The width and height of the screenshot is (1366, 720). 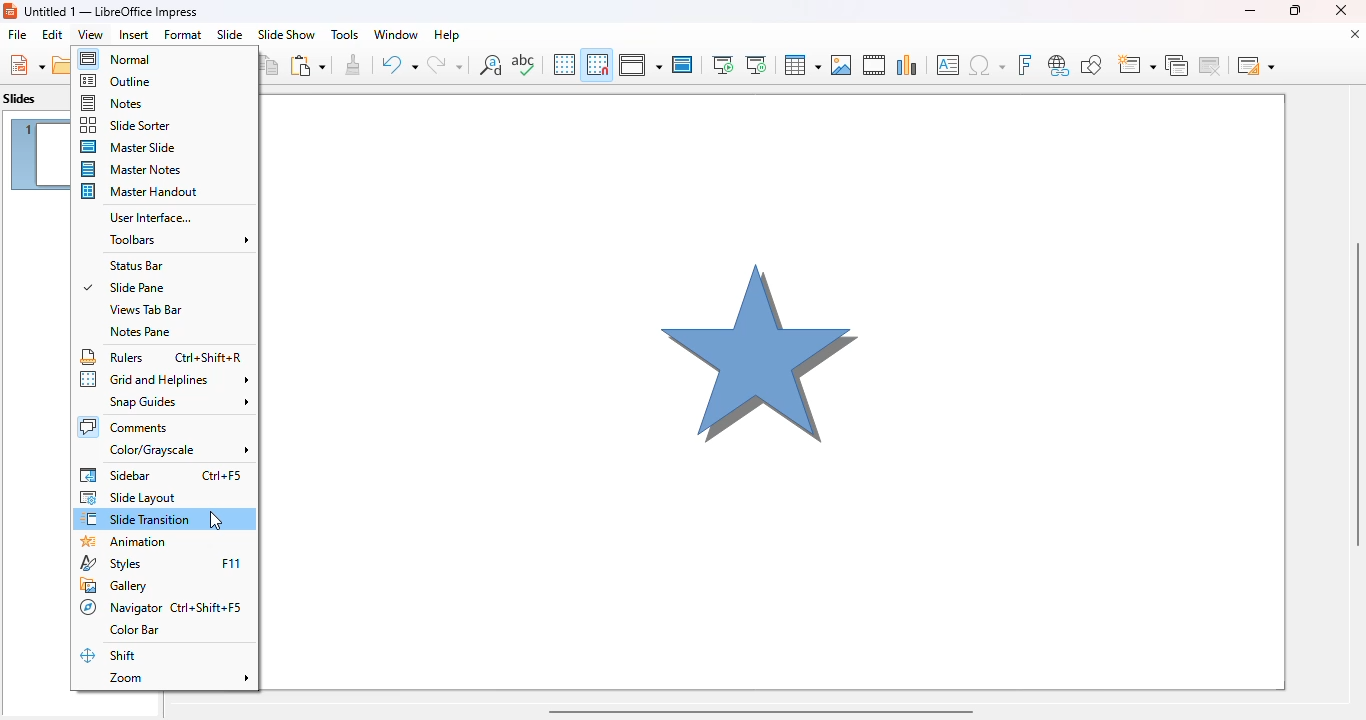 I want to click on insert text box, so click(x=949, y=65).